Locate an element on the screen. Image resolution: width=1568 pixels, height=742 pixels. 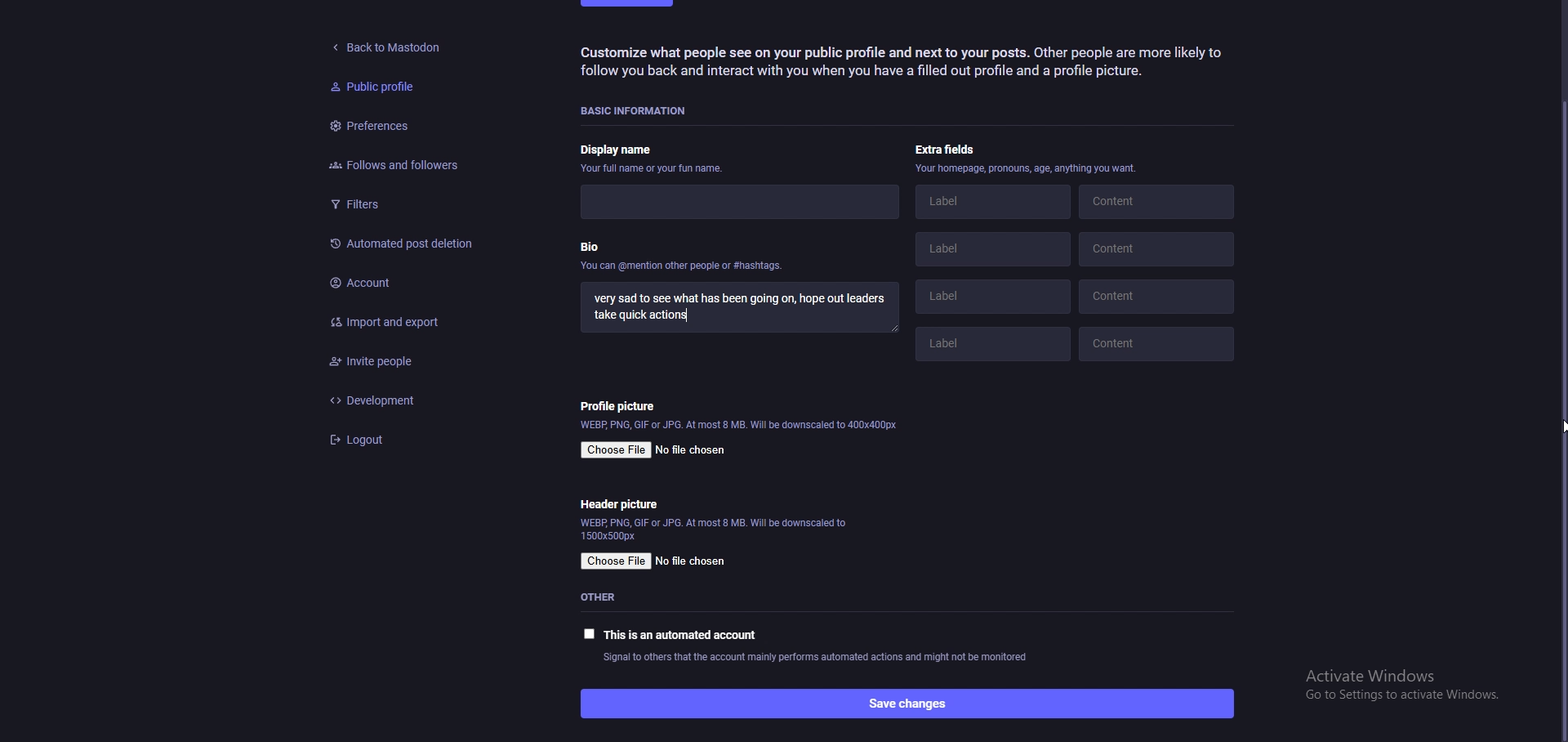
cursor is located at coordinates (1561, 427).